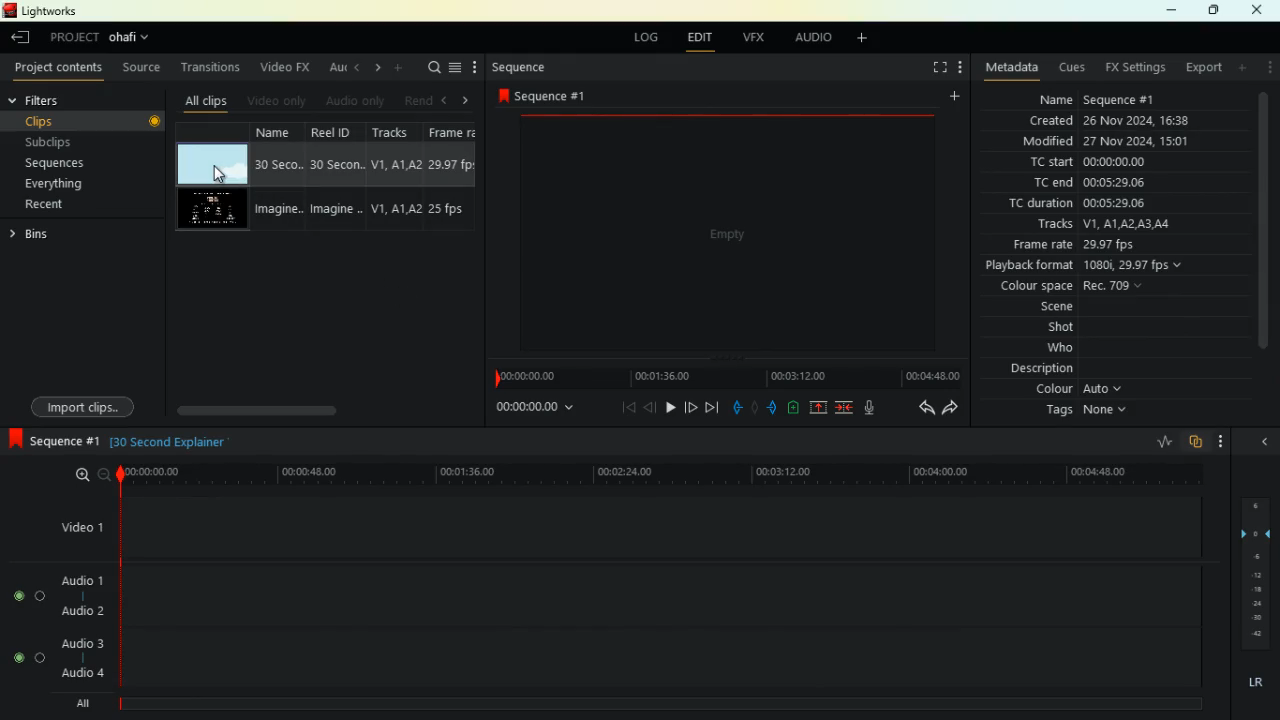 This screenshot has width=1280, height=720. What do you see at coordinates (278, 100) in the screenshot?
I see `video only` at bounding box center [278, 100].